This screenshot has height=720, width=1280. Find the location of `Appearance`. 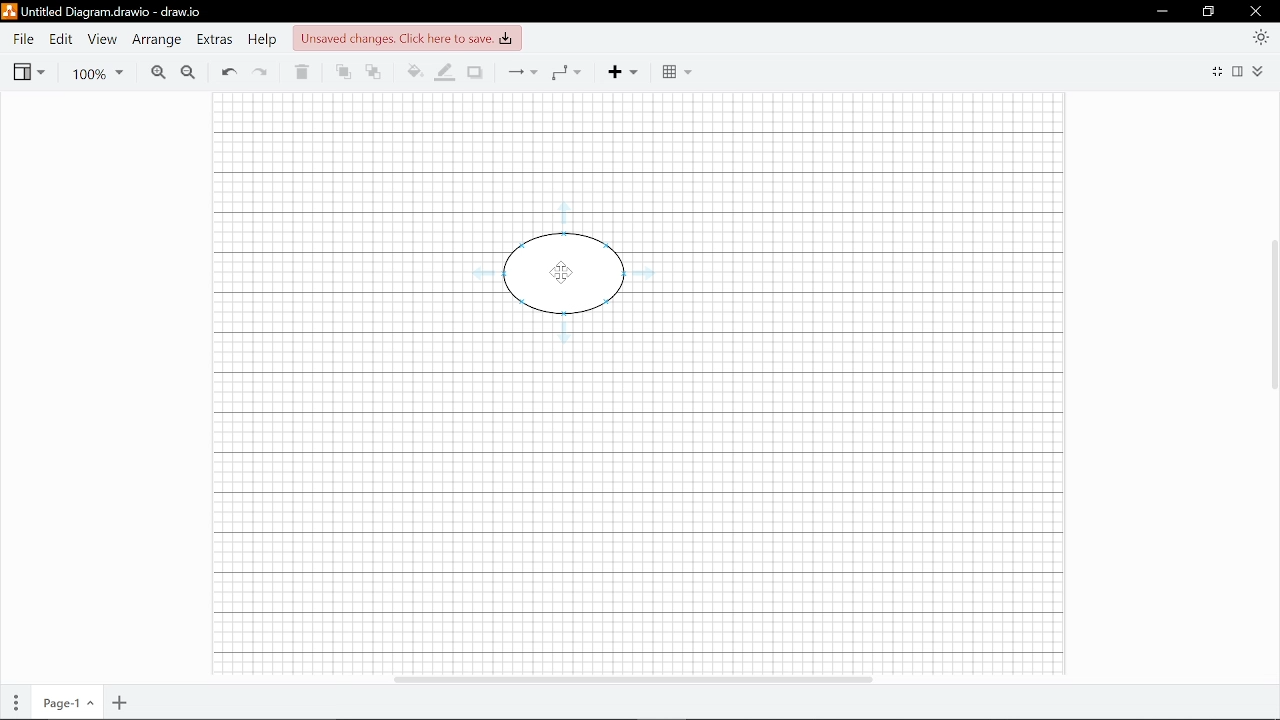

Appearance is located at coordinates (1260, 36).